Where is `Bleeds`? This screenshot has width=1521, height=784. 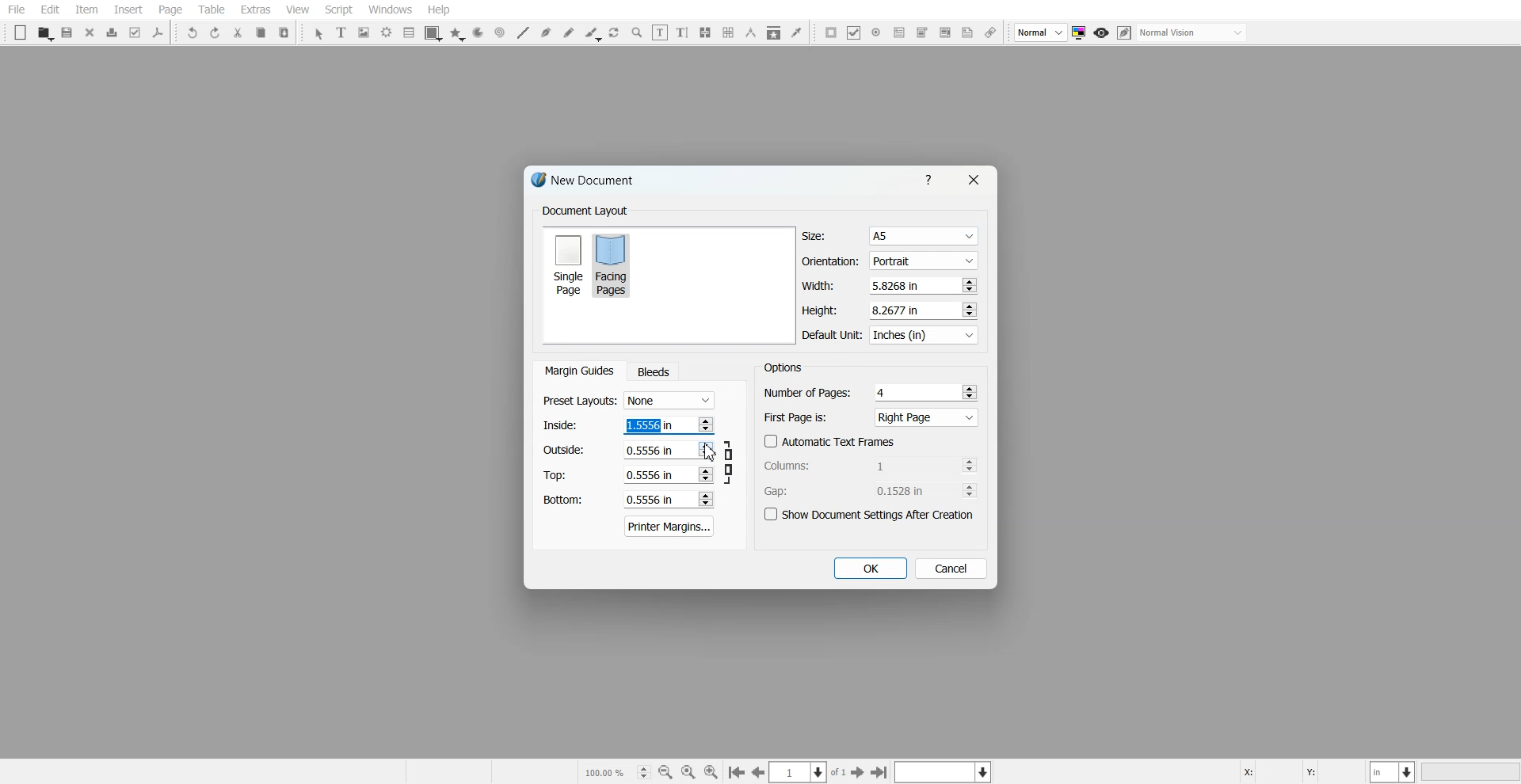
Bleeds is located at coordinates (653, 371).